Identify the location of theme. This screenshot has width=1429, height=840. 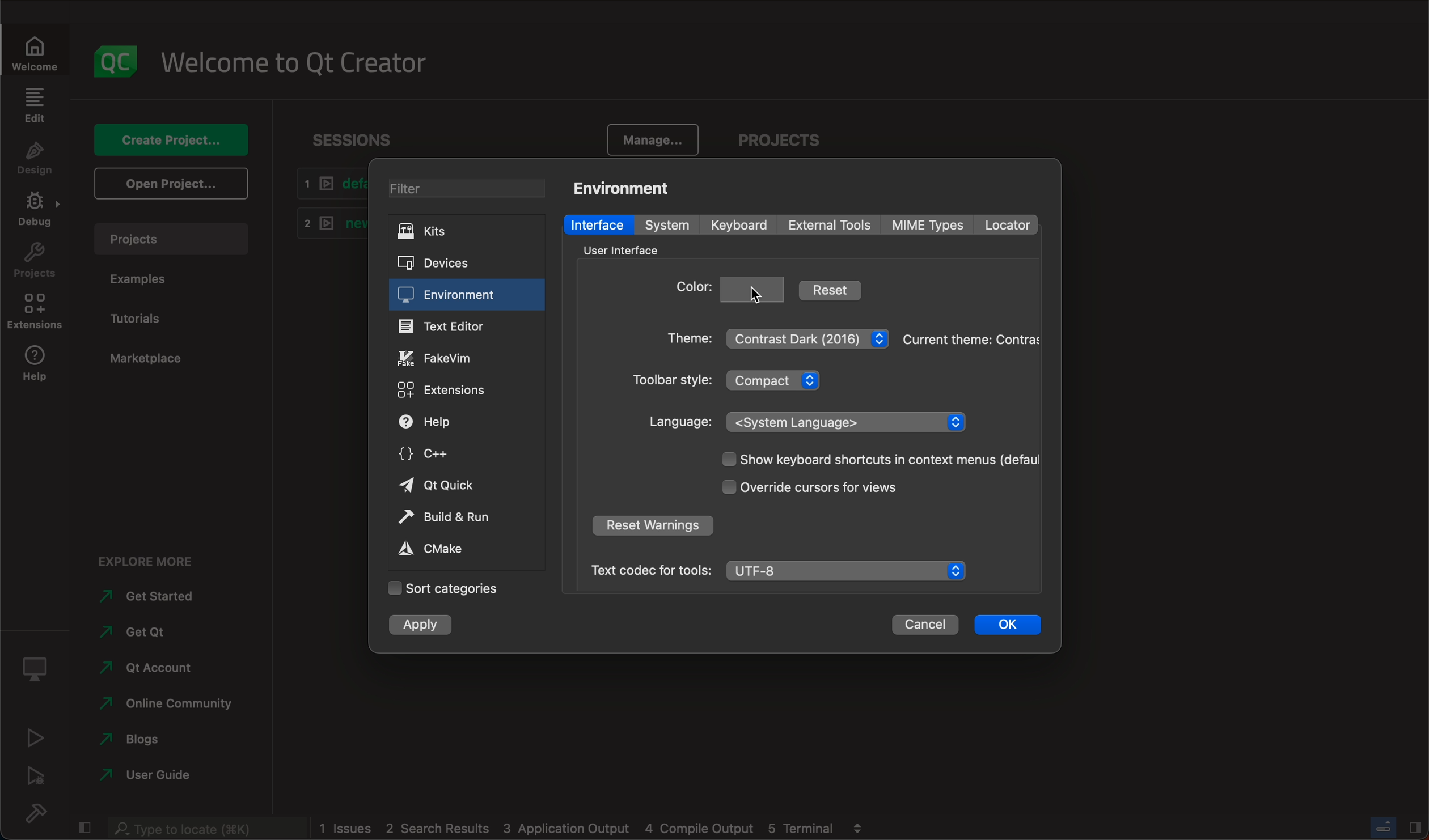
(970, 339).